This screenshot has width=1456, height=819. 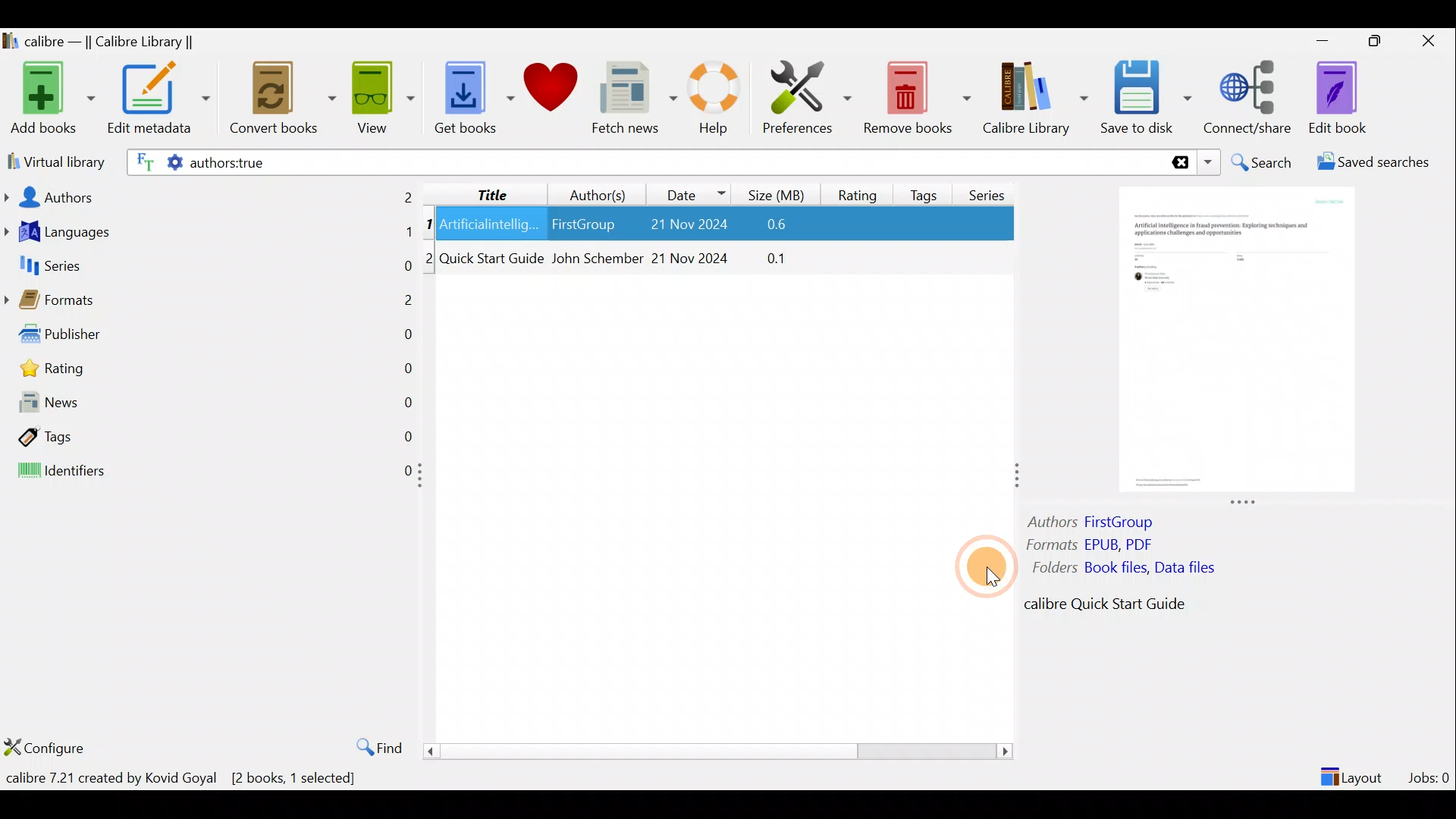 I want to click on Authors: FirstGroup, so click(x=1095, y=524).